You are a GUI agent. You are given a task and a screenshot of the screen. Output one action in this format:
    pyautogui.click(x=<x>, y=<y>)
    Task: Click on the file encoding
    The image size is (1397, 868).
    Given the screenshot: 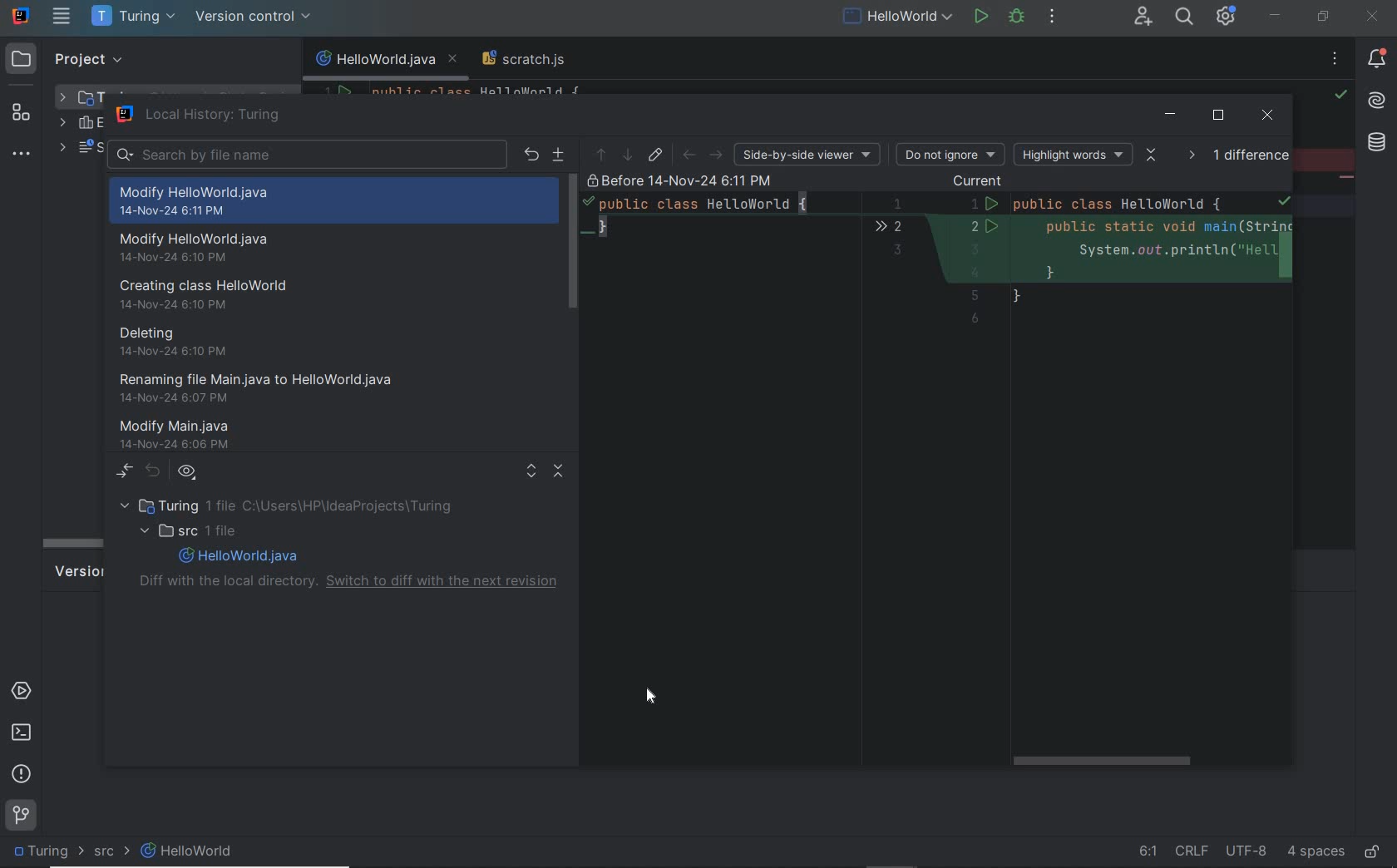 What is the action you would take?
    pyautogui.click(x=1250, y=850)
    